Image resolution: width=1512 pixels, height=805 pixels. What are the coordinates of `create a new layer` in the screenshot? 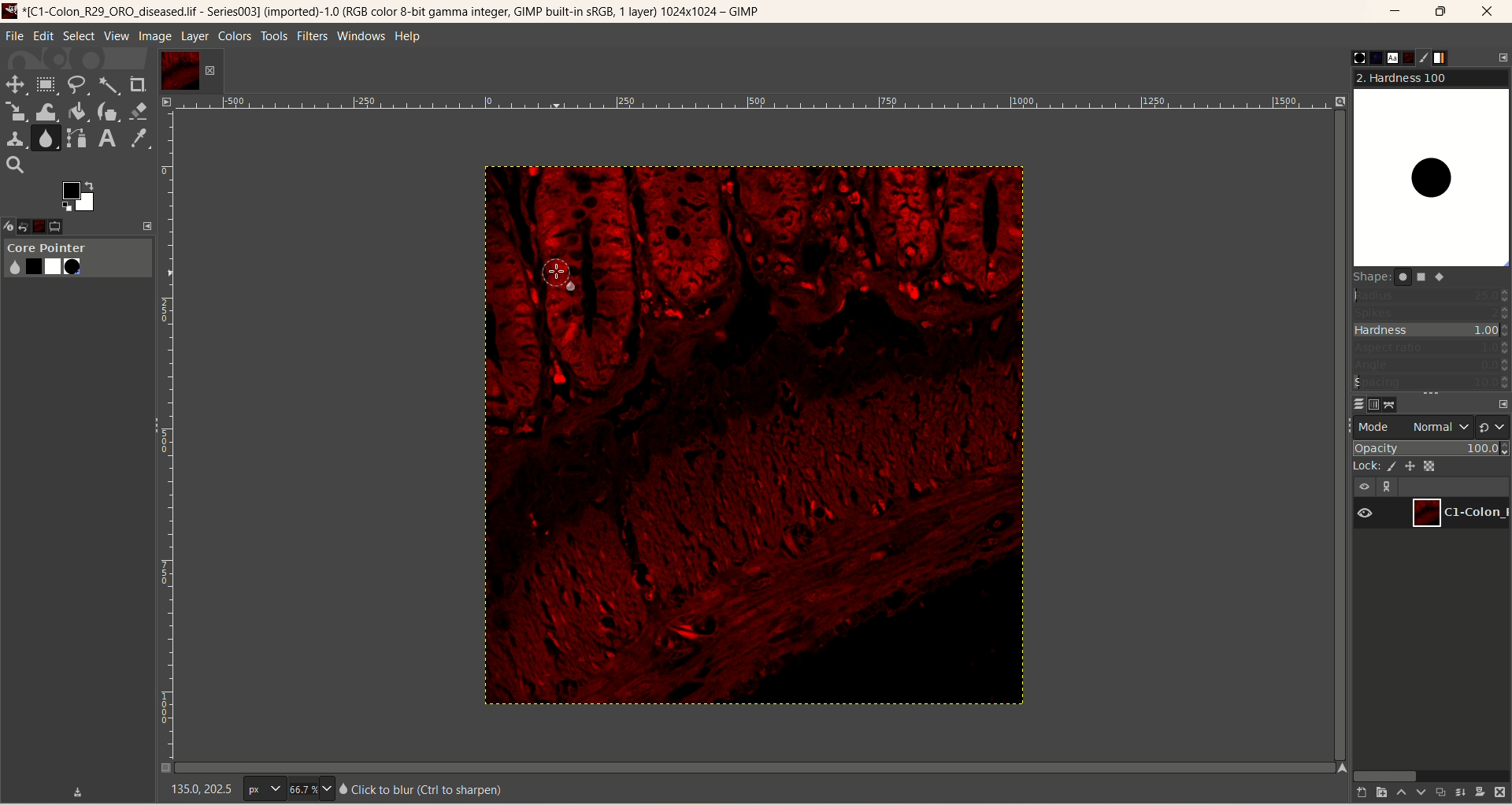 It's located at (1377, 792).